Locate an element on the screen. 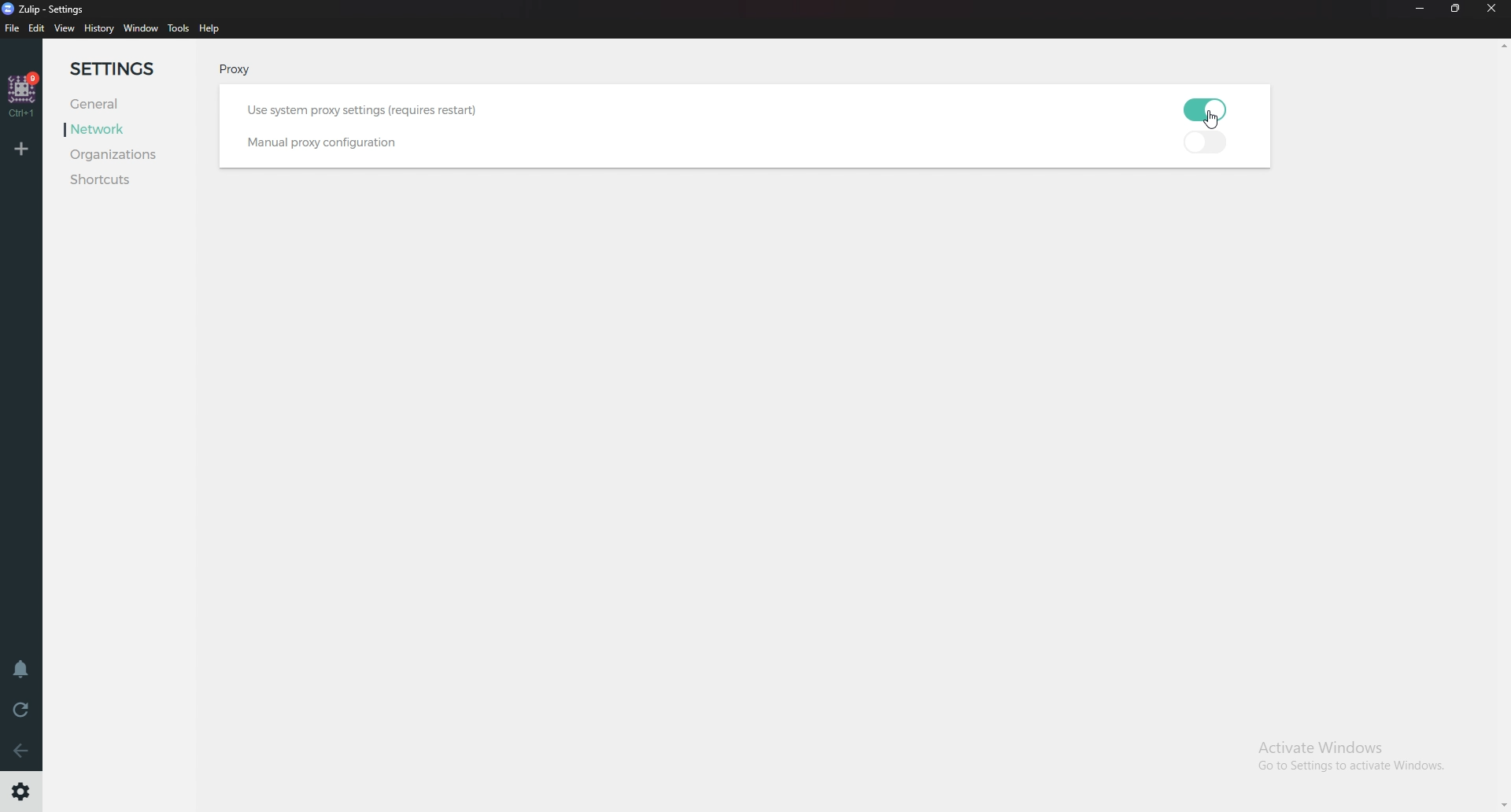  toggle is located at coordinates (1210, 109).